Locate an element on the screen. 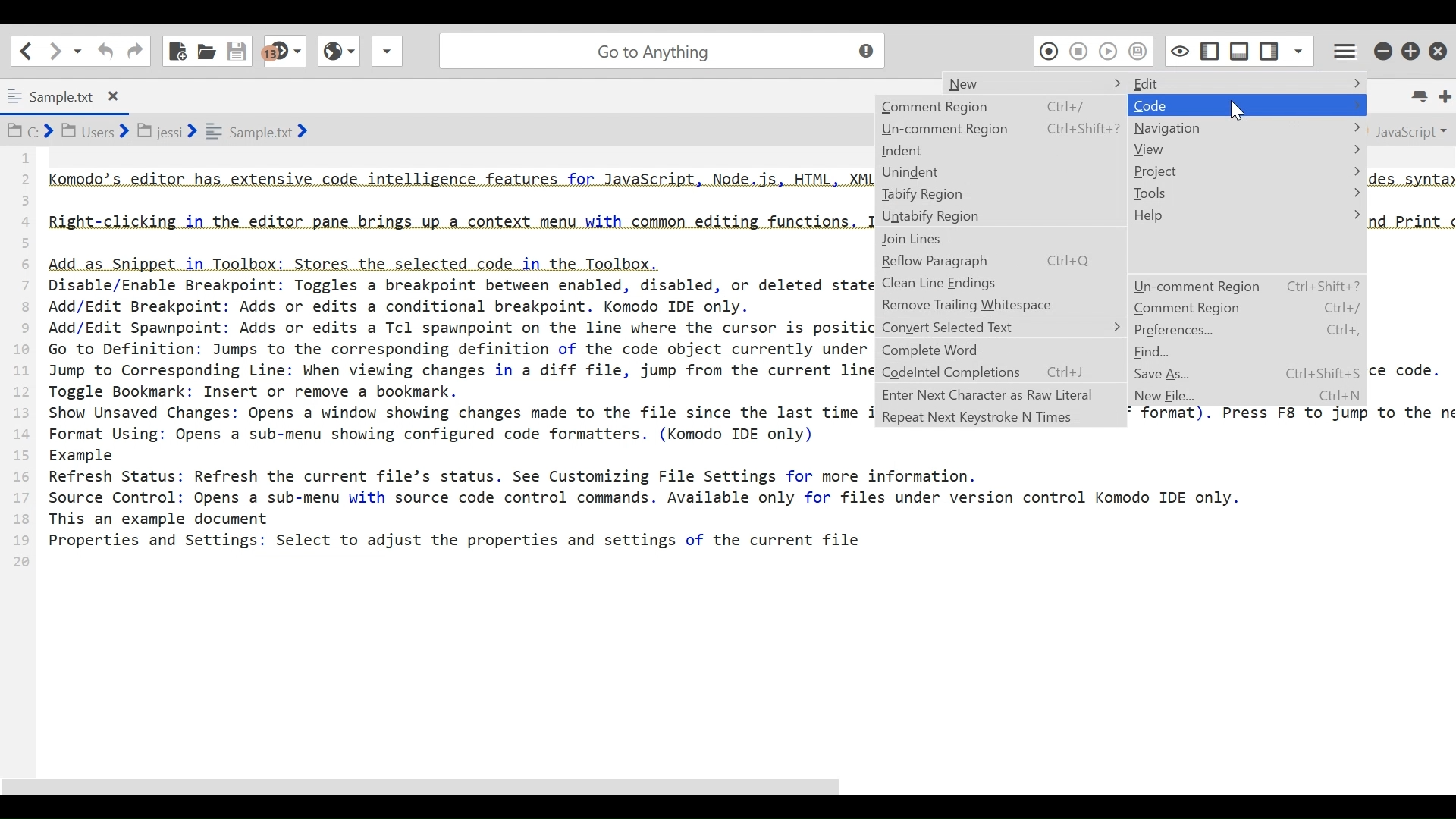  Save As is located at coordinates (1172, 373).